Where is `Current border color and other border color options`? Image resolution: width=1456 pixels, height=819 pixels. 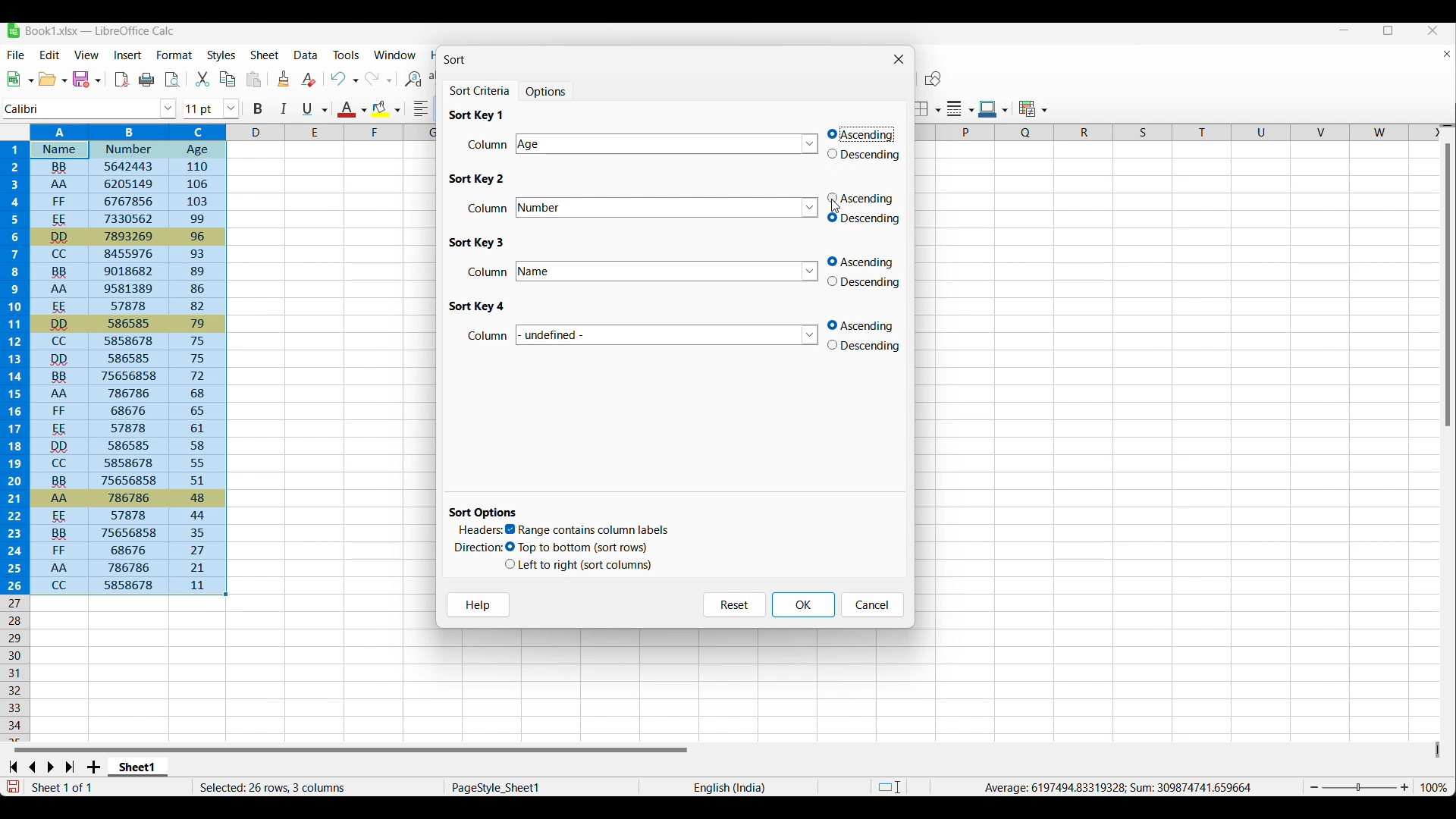 Current border color and other border color options is located at coordinates (993, 109).